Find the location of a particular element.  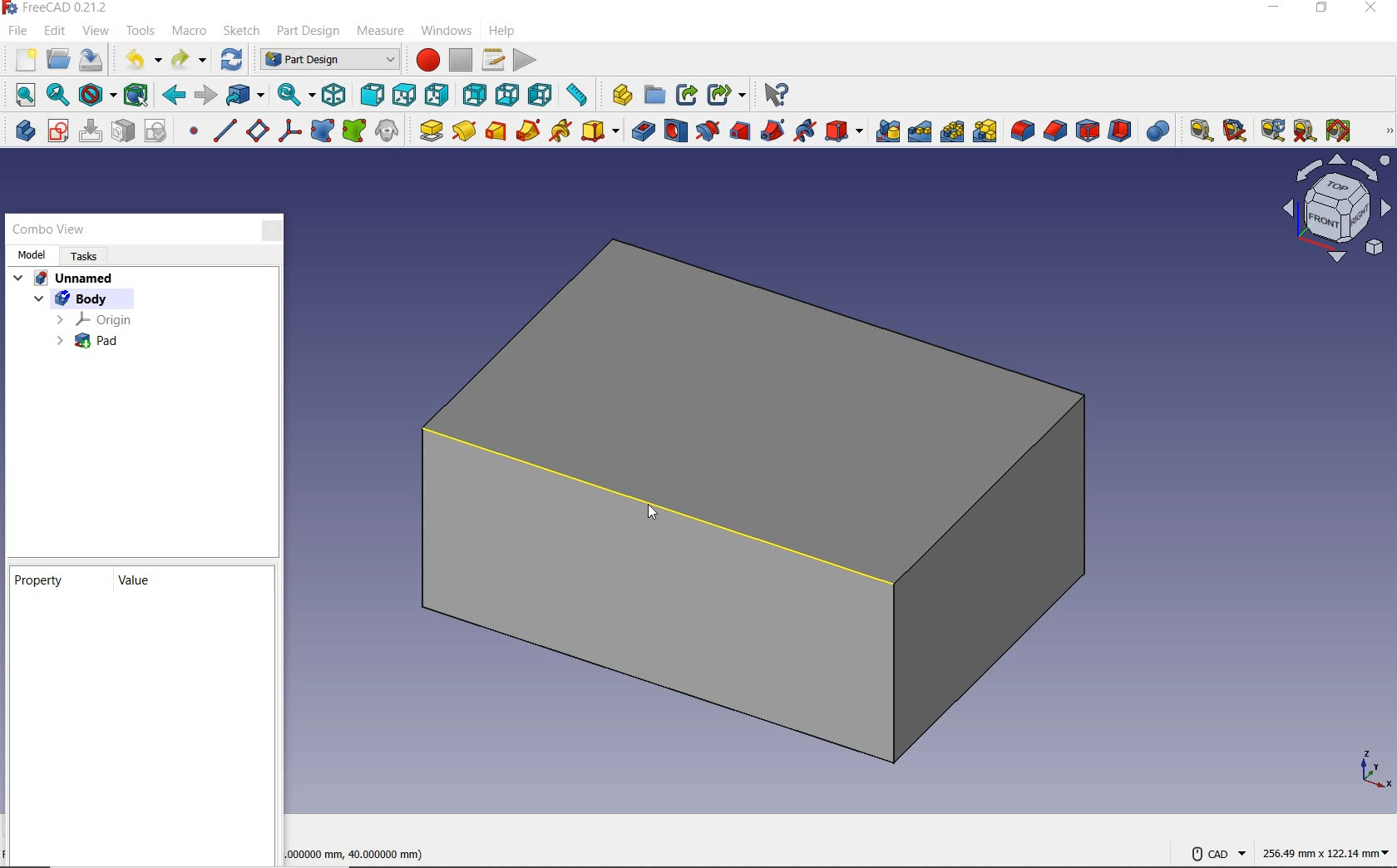

save is located at coordinates (92, 60).